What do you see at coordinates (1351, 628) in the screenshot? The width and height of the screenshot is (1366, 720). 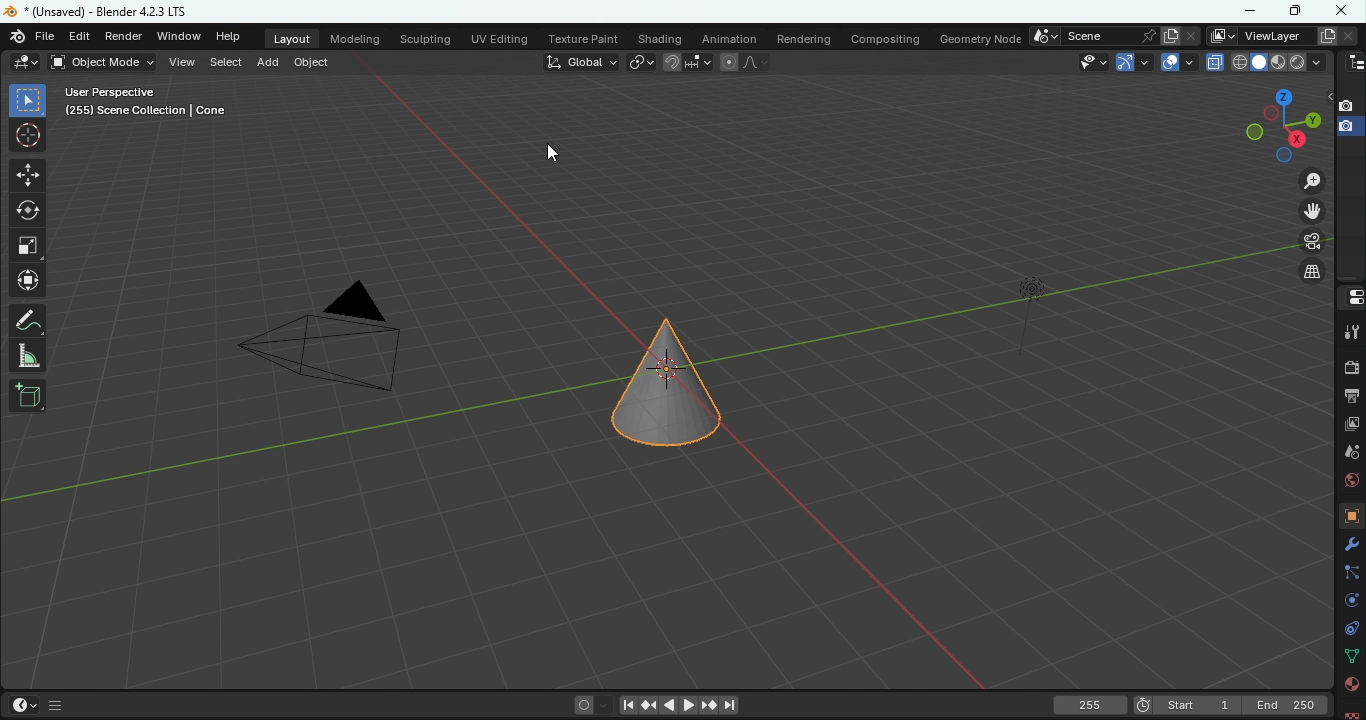 I see `Constraints` at bounding box center [1351, 628].